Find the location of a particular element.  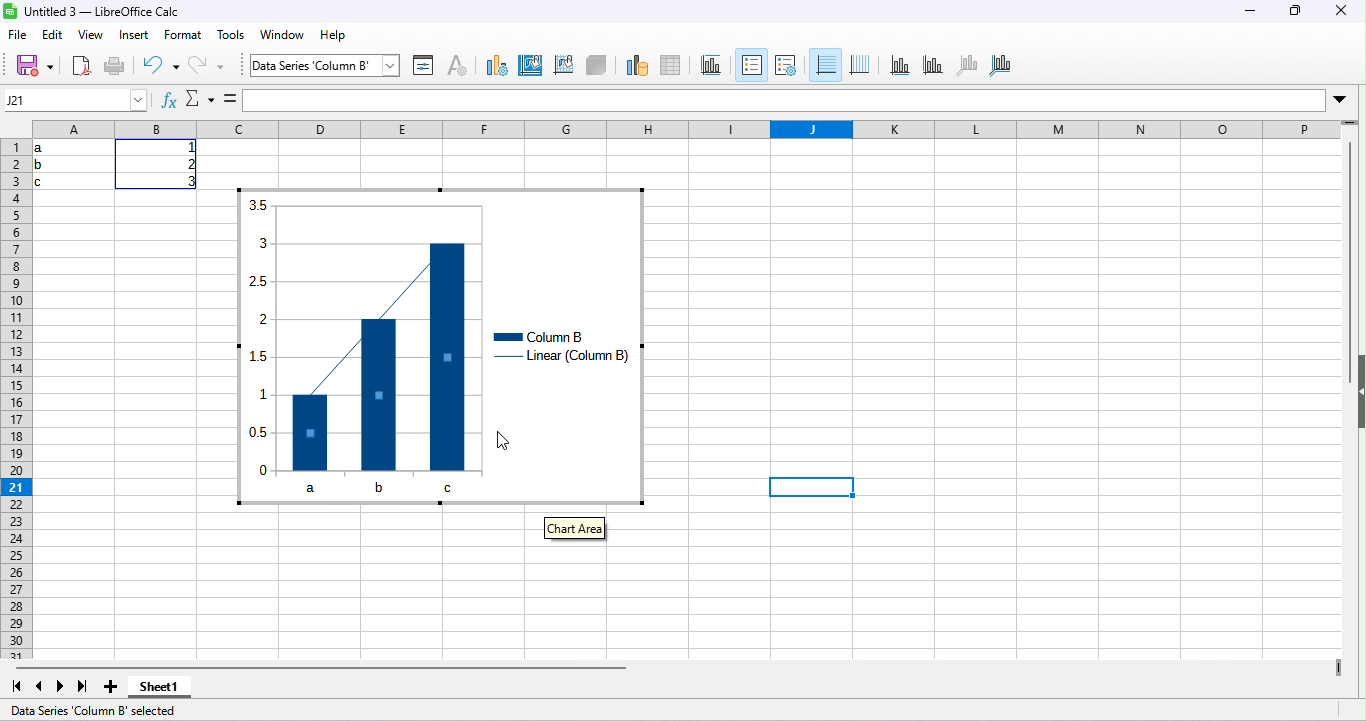

chart area is located at coordinates (570, 530).